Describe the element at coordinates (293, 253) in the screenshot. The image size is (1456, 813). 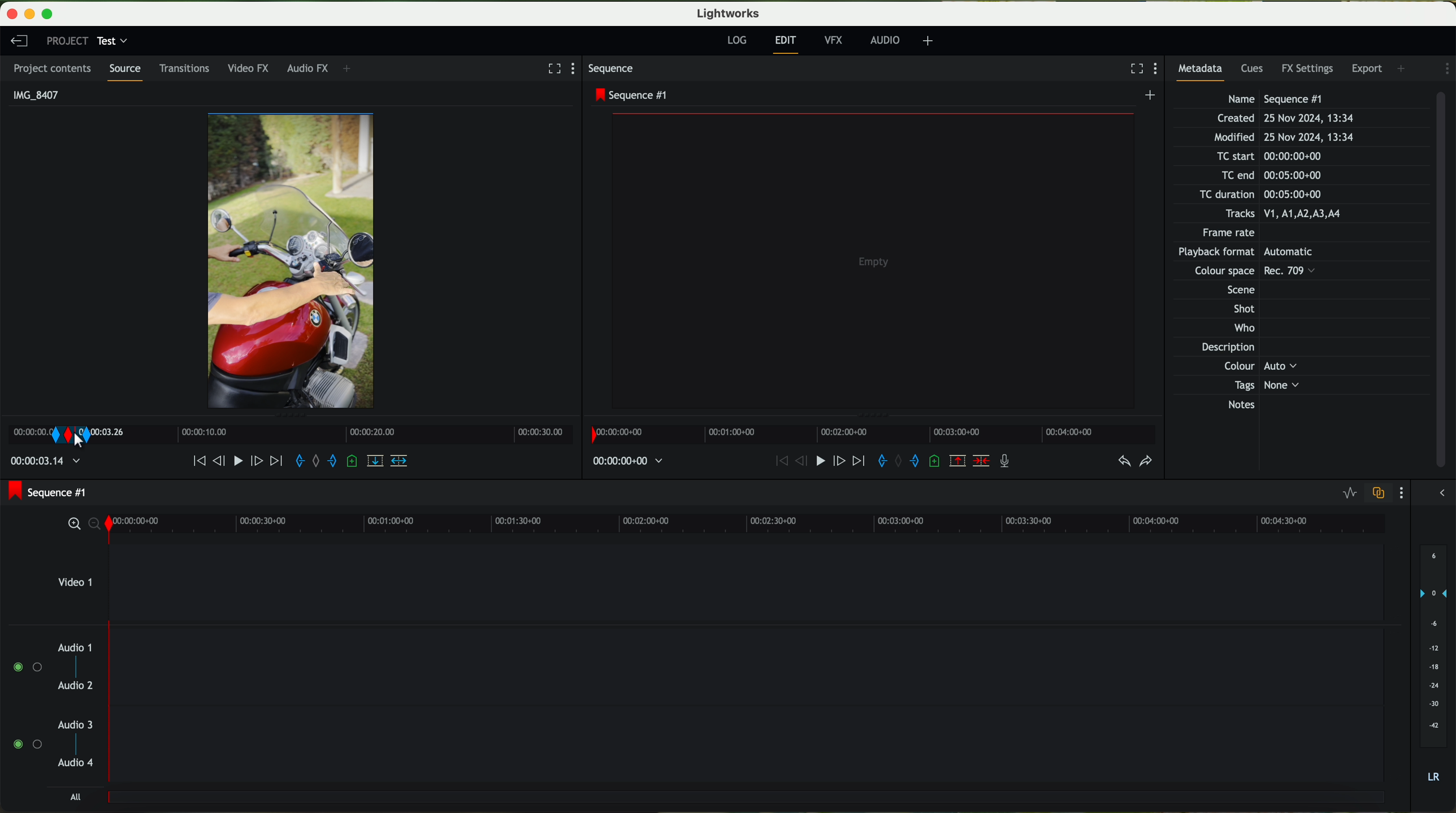
I see `video` at that location.